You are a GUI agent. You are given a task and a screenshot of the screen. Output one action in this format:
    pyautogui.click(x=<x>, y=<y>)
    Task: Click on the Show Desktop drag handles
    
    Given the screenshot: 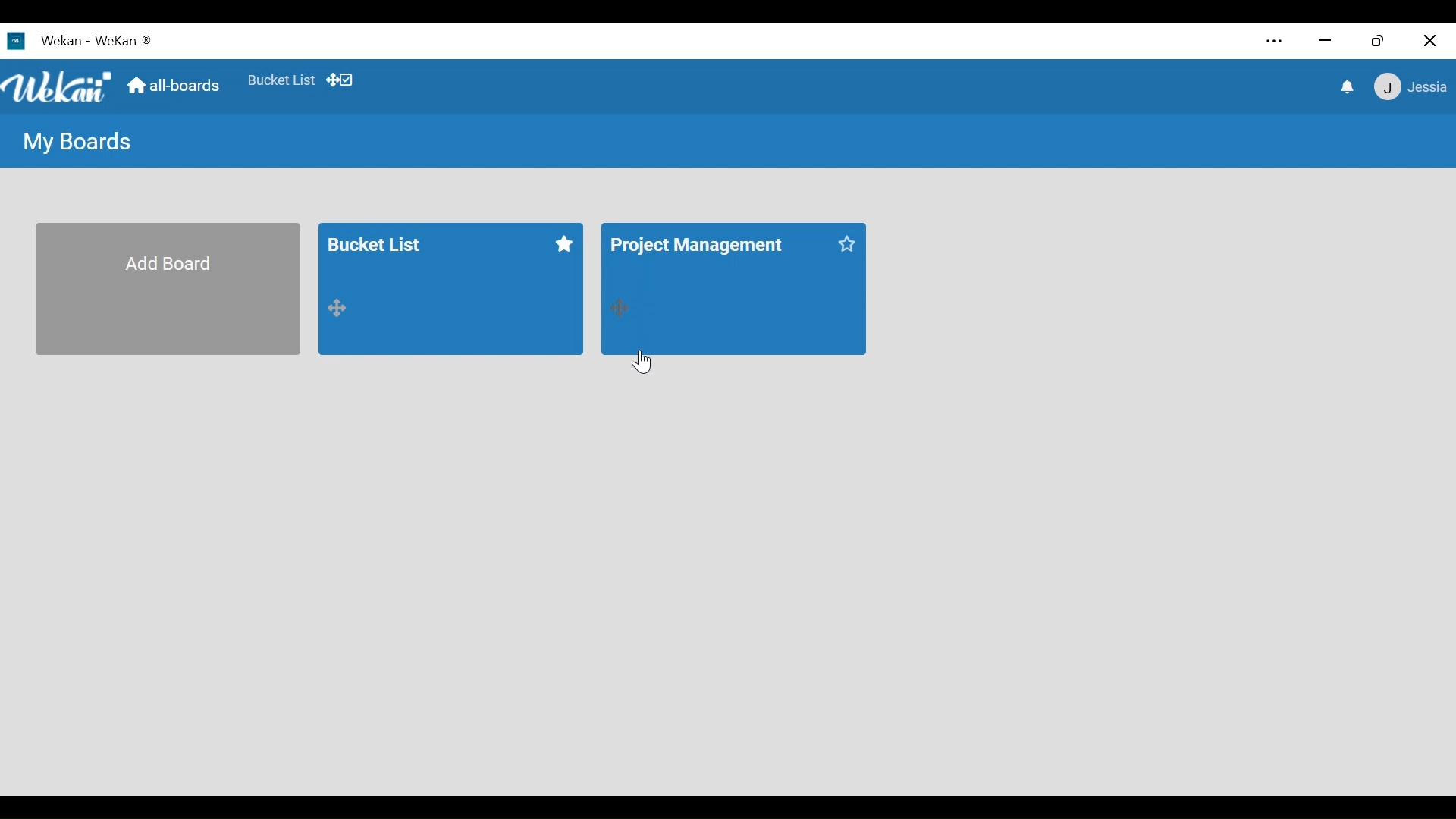 What is the action you would take?
    pyautogui.click(x=339, y=80)
    